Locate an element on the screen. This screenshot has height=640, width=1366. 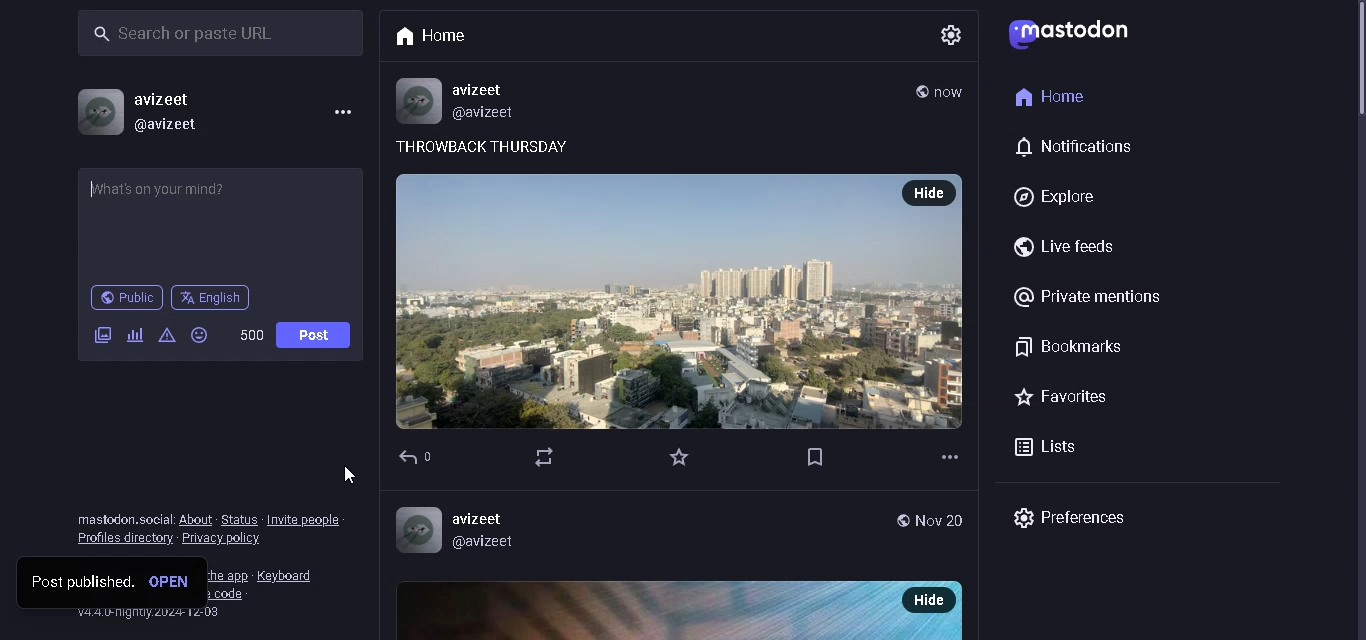
lists is located at coordinates (1061, 449).